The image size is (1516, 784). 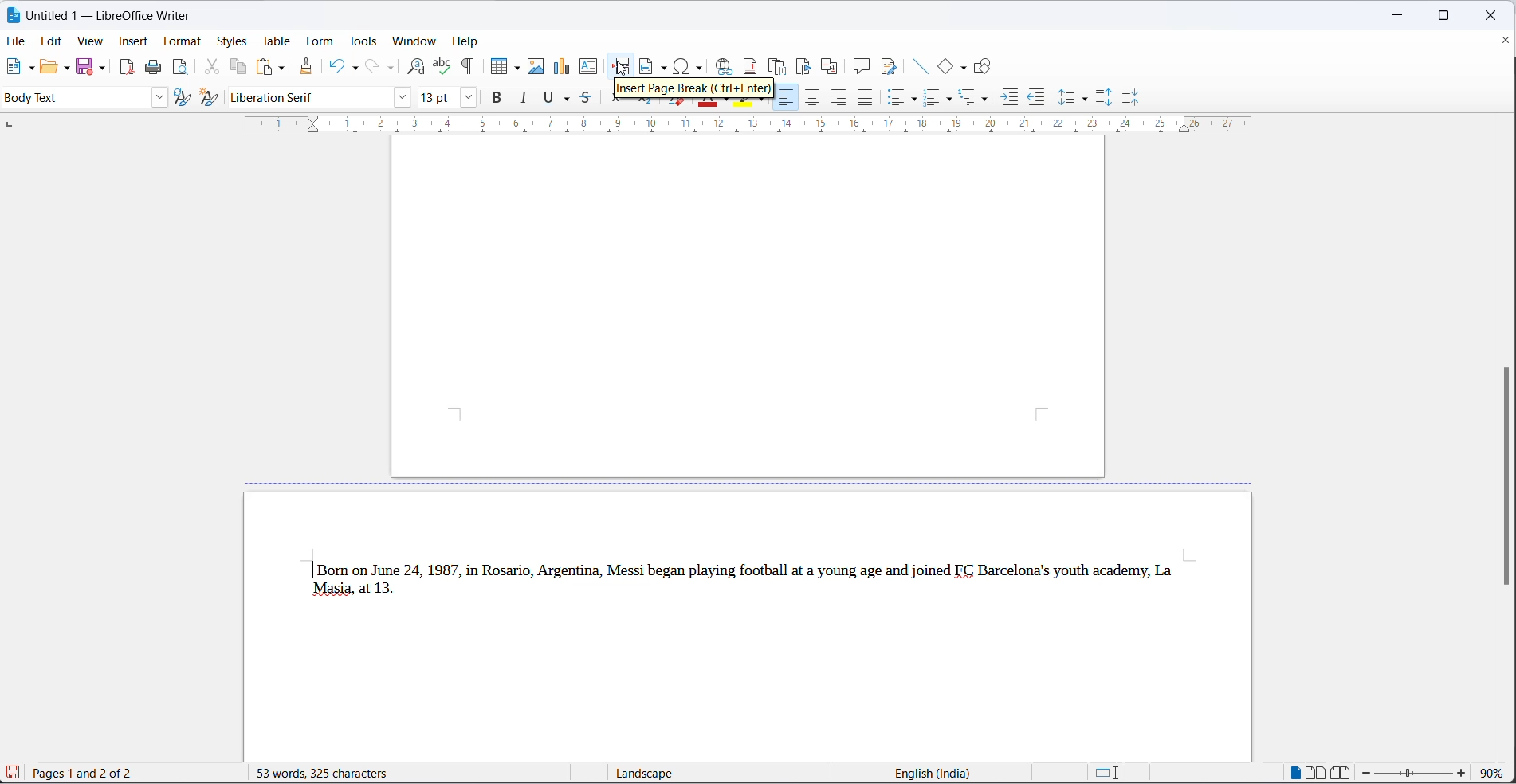 I want to click on justified, so click(x=866, y=97).